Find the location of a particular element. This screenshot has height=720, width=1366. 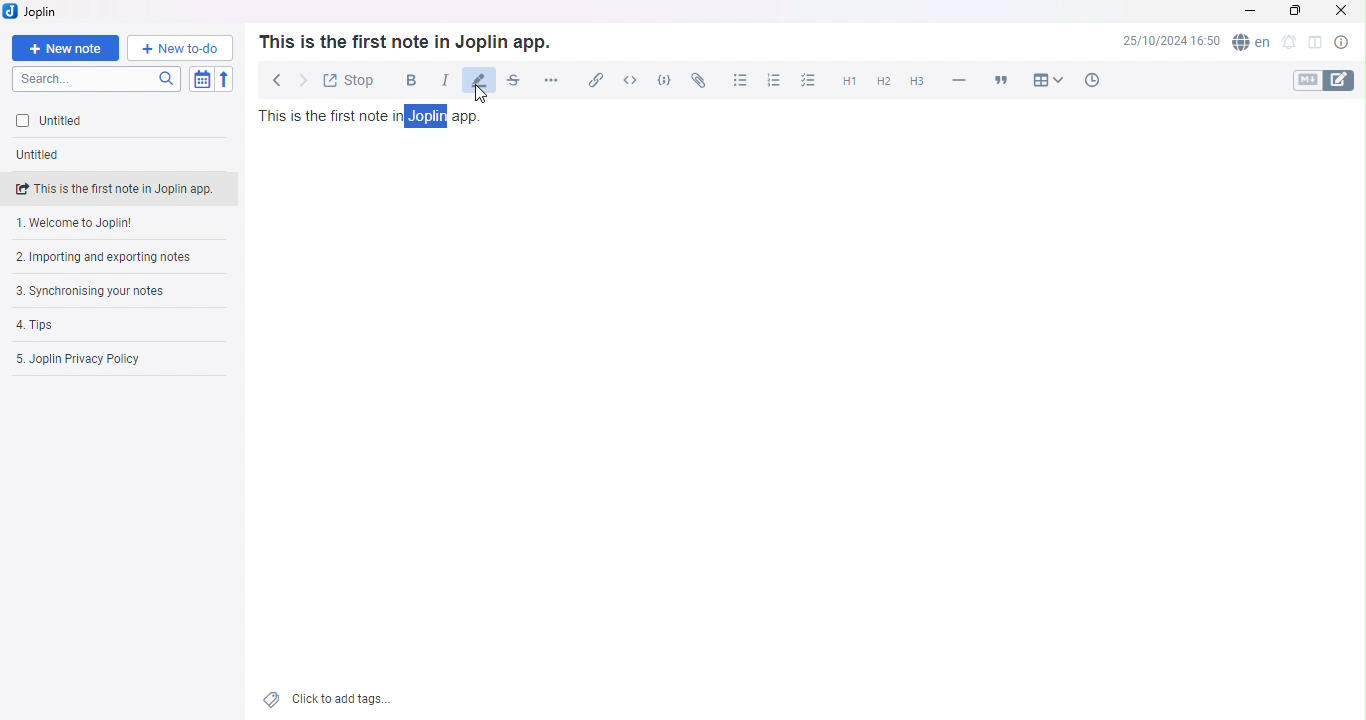

Checkbox list is located at coordinates (809, 82).